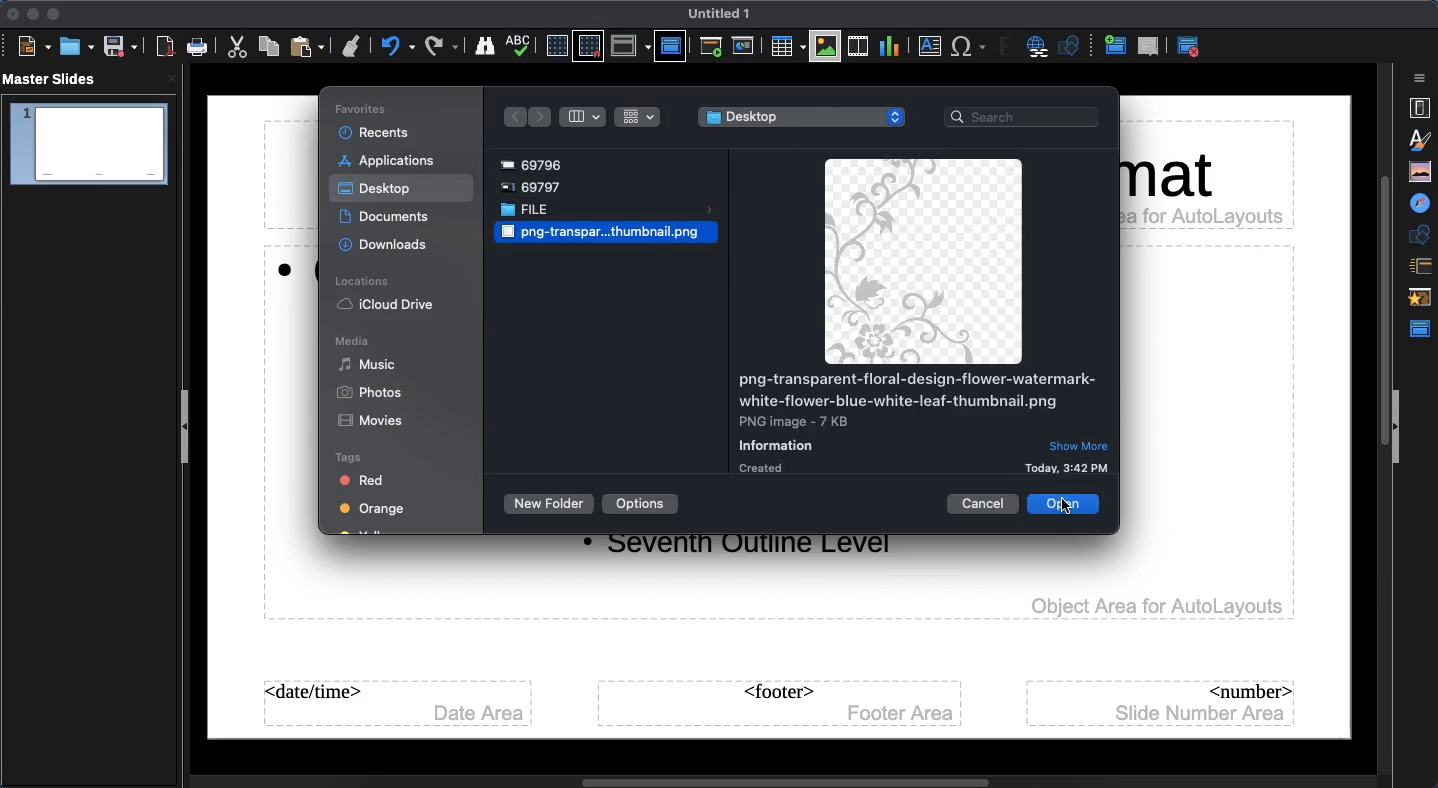 The height and width of the screenshot is (788, 1438). What do you see at coordinates (519, 44) in the screenshot?
I see `Spellcheck` at bounding box center [519, 44].